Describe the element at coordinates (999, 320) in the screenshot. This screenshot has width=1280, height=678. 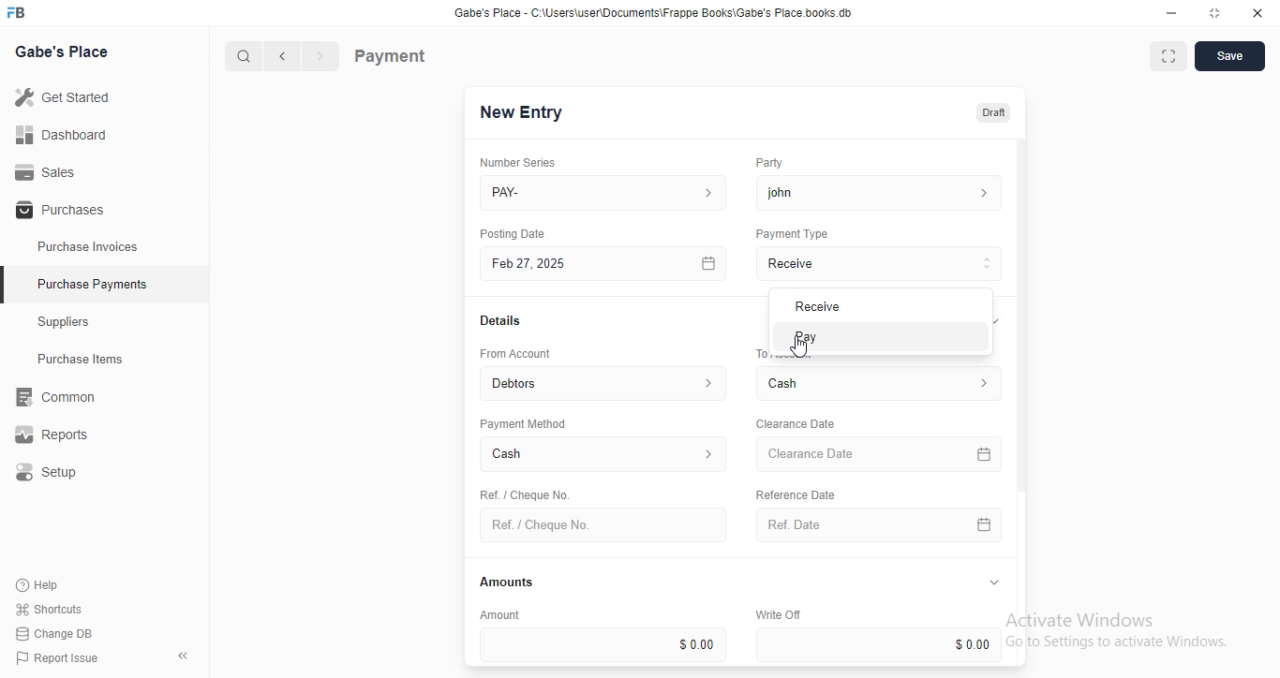
I see `expand/collapse` at that location.